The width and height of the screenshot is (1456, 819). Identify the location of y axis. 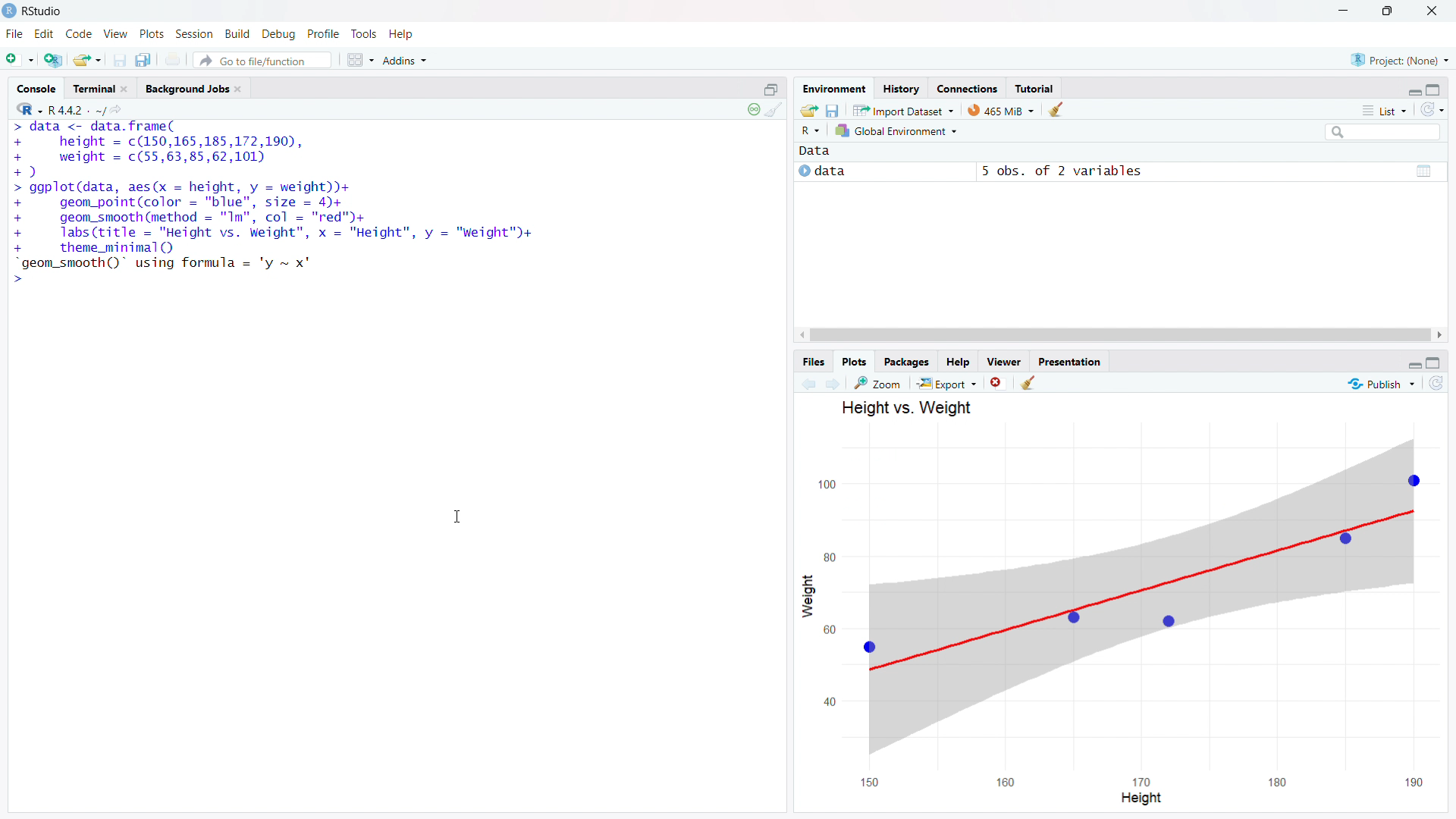
(830, 602).